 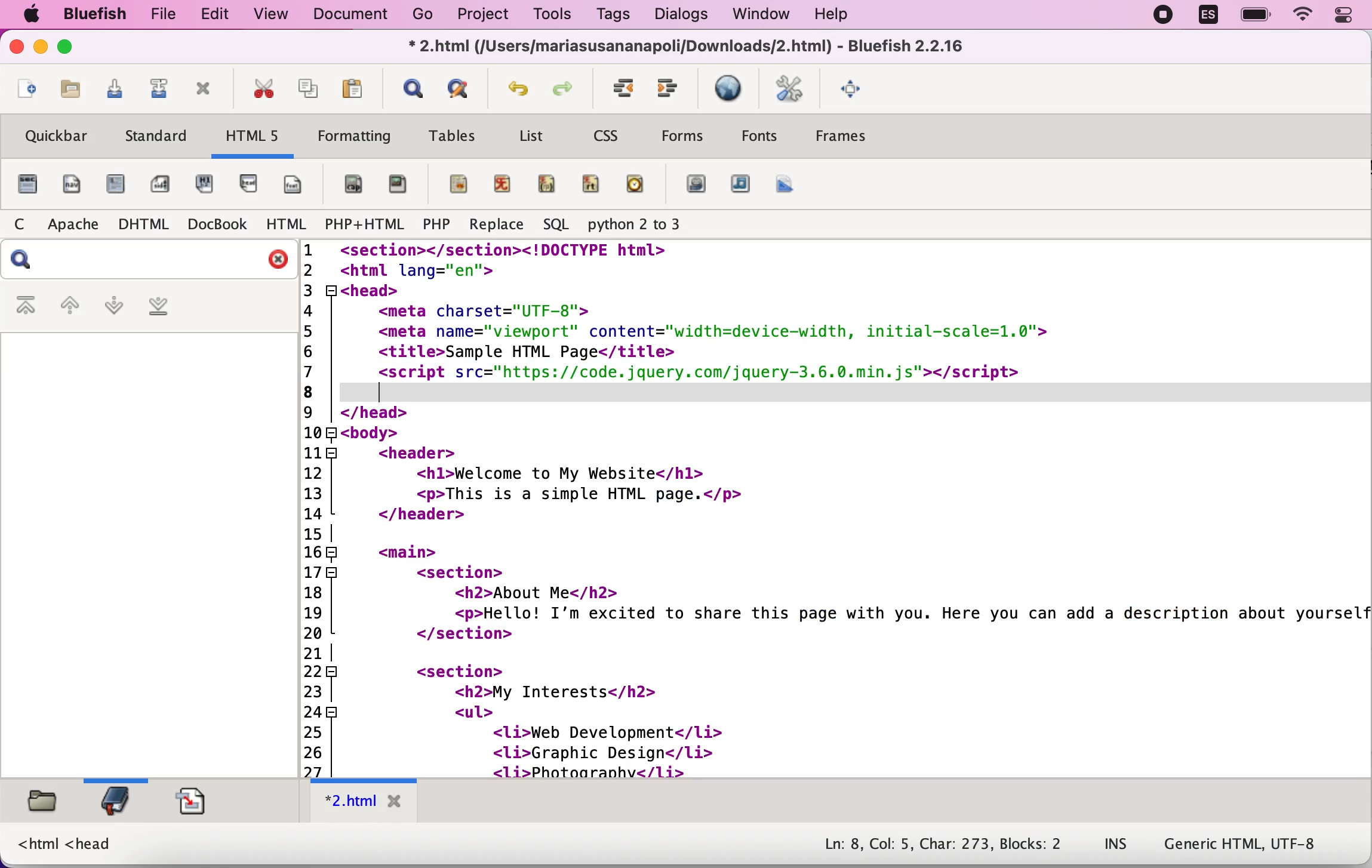 I want to click on tools, so click(x=556, y=14).